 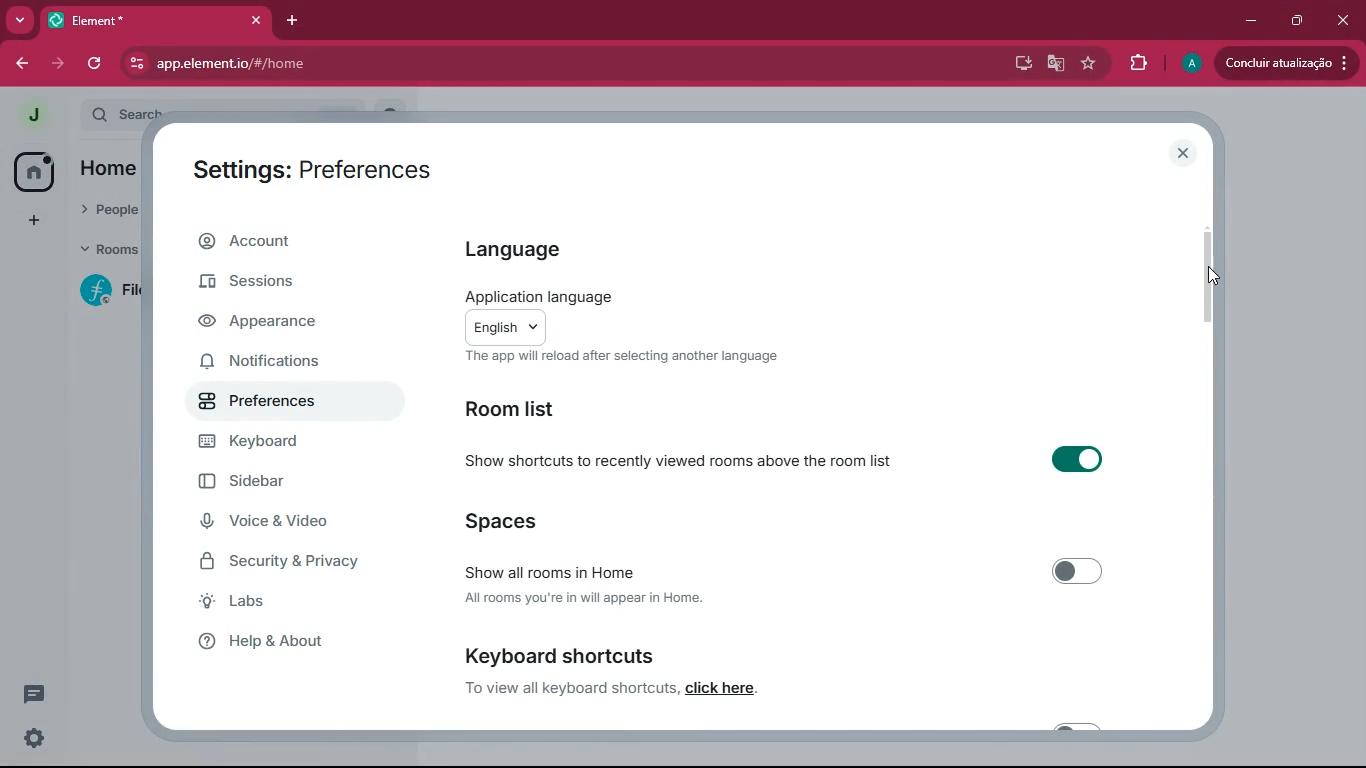 What do you see at coordinates (279, 606) in the screenshot?
I see `labs` at bounding box center [279, 606].